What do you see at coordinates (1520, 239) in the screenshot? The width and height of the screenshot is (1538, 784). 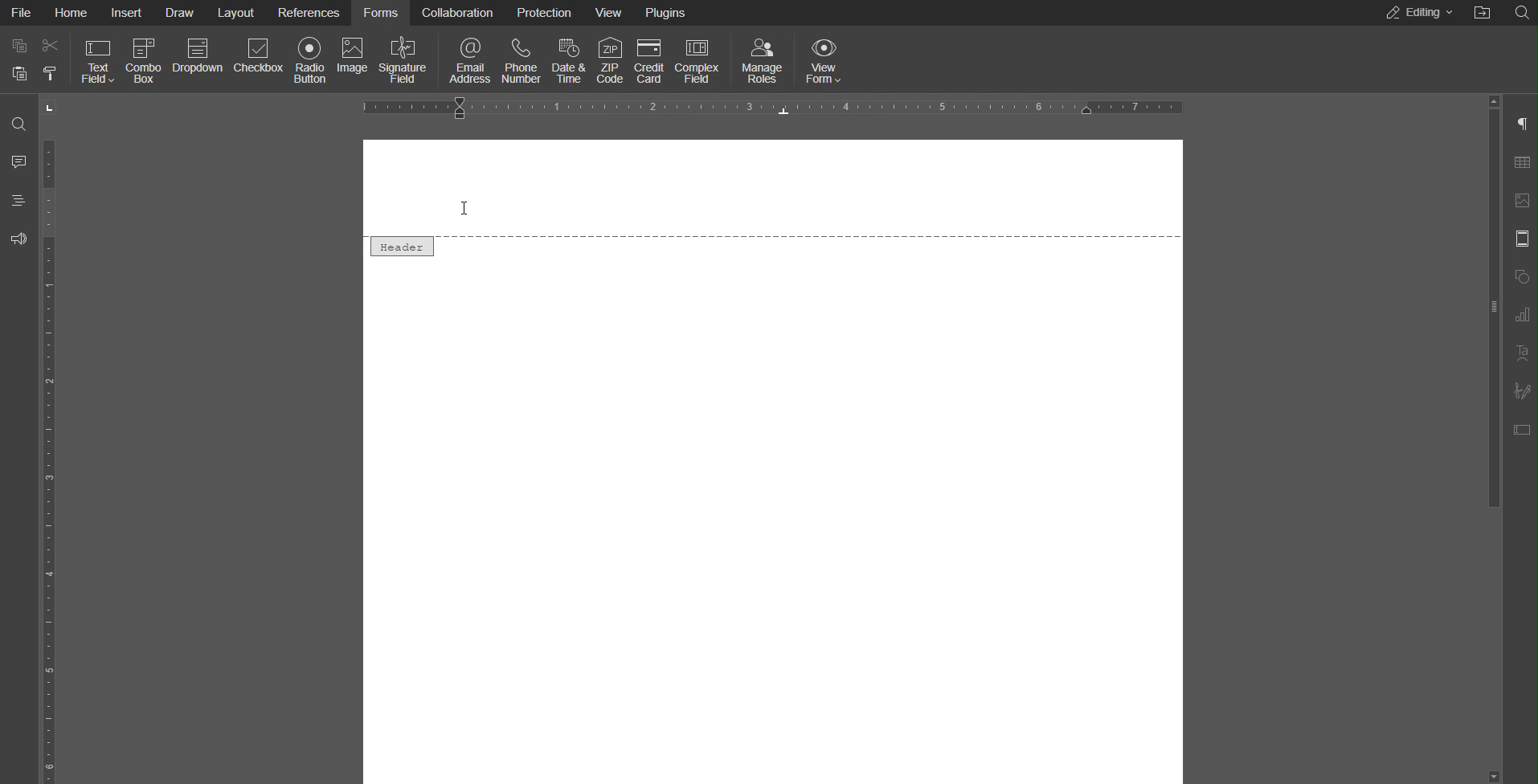 I see `Header and Footer` at bounding box center [1520, 239].